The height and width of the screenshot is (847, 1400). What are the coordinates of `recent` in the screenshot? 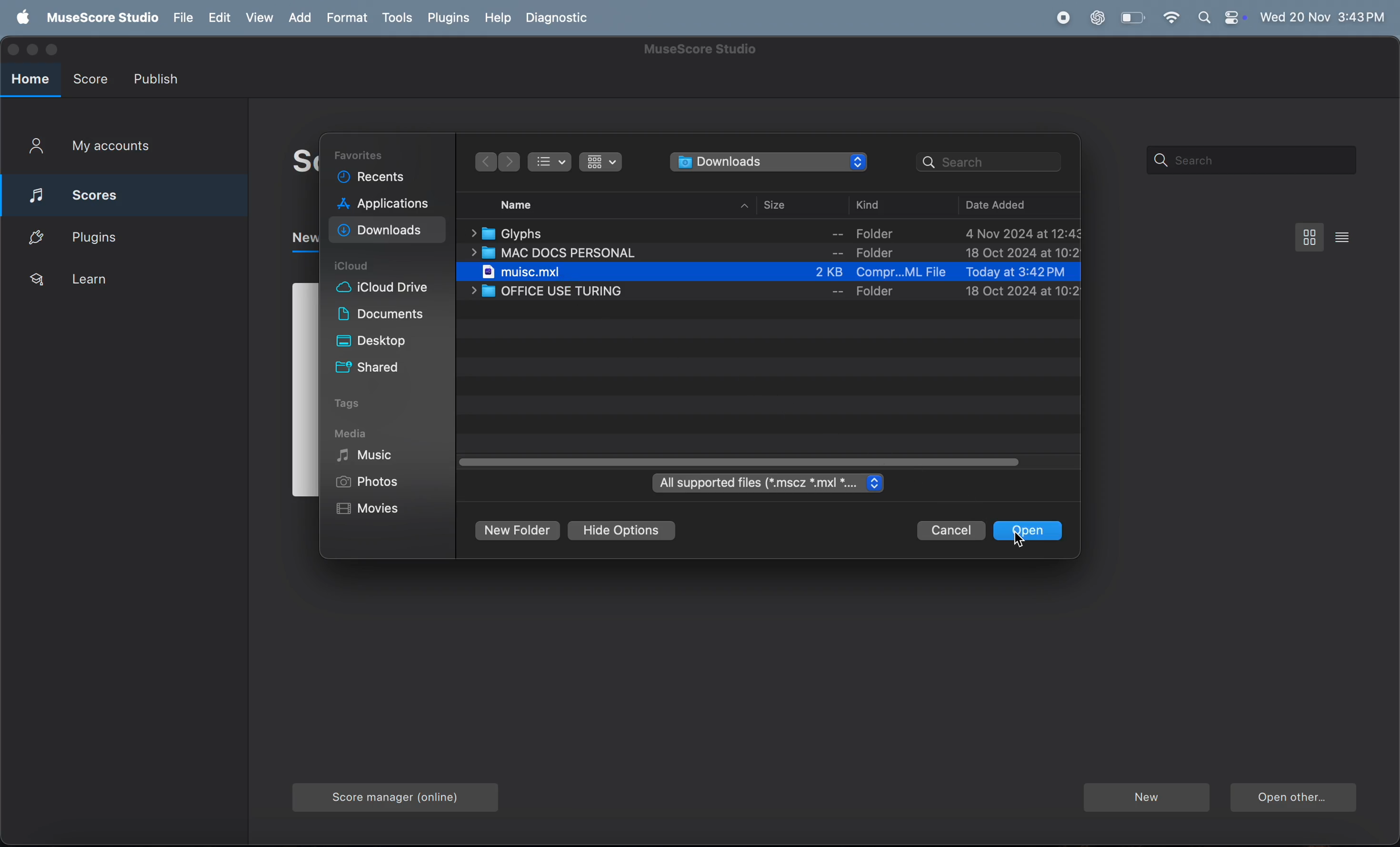 It's located at (372, 177).